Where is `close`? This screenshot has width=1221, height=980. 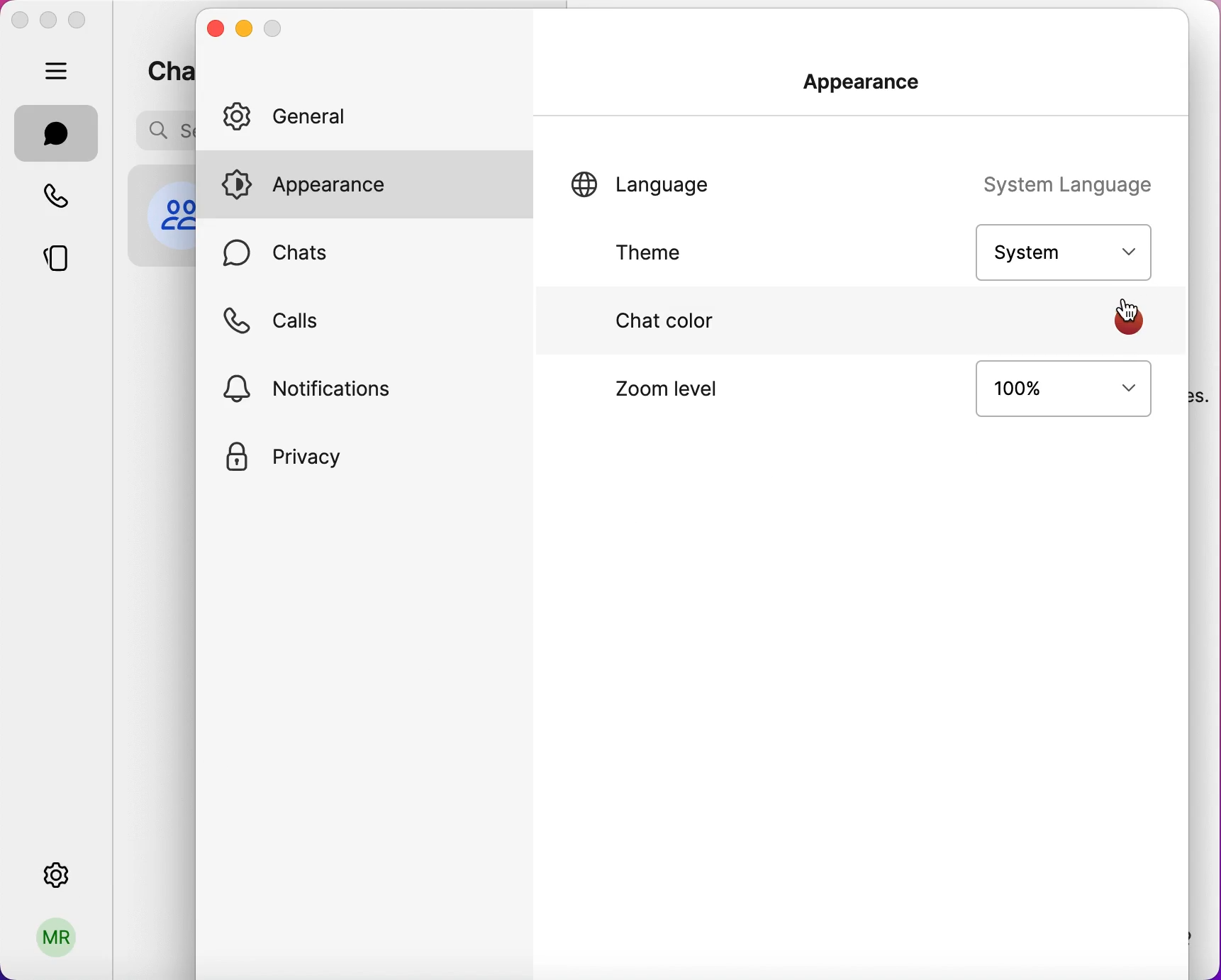
close is located at coordinates (19, 20).